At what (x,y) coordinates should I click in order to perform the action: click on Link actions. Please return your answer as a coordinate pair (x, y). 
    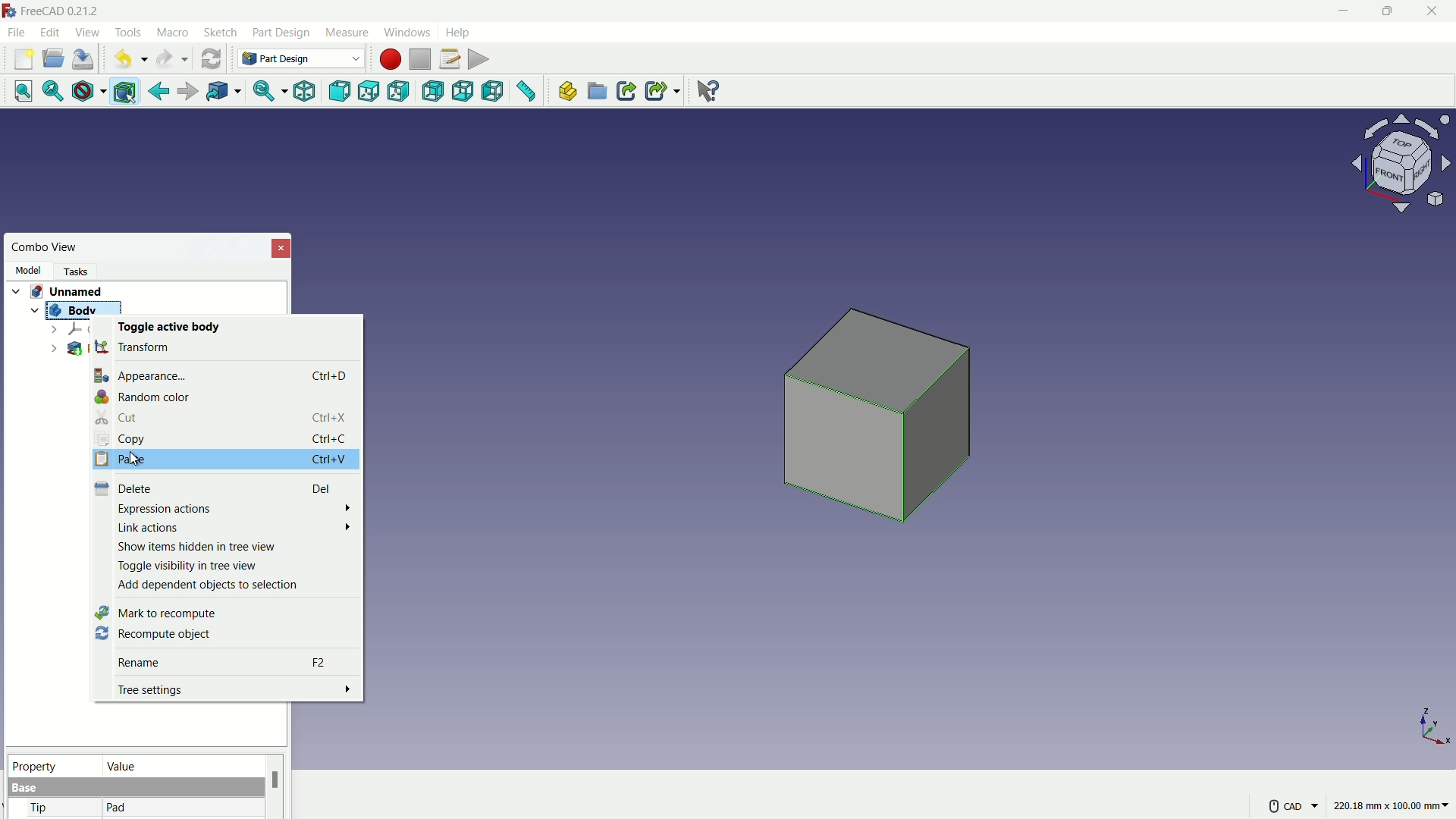
    Looking at the image, I should click on (235, 529).